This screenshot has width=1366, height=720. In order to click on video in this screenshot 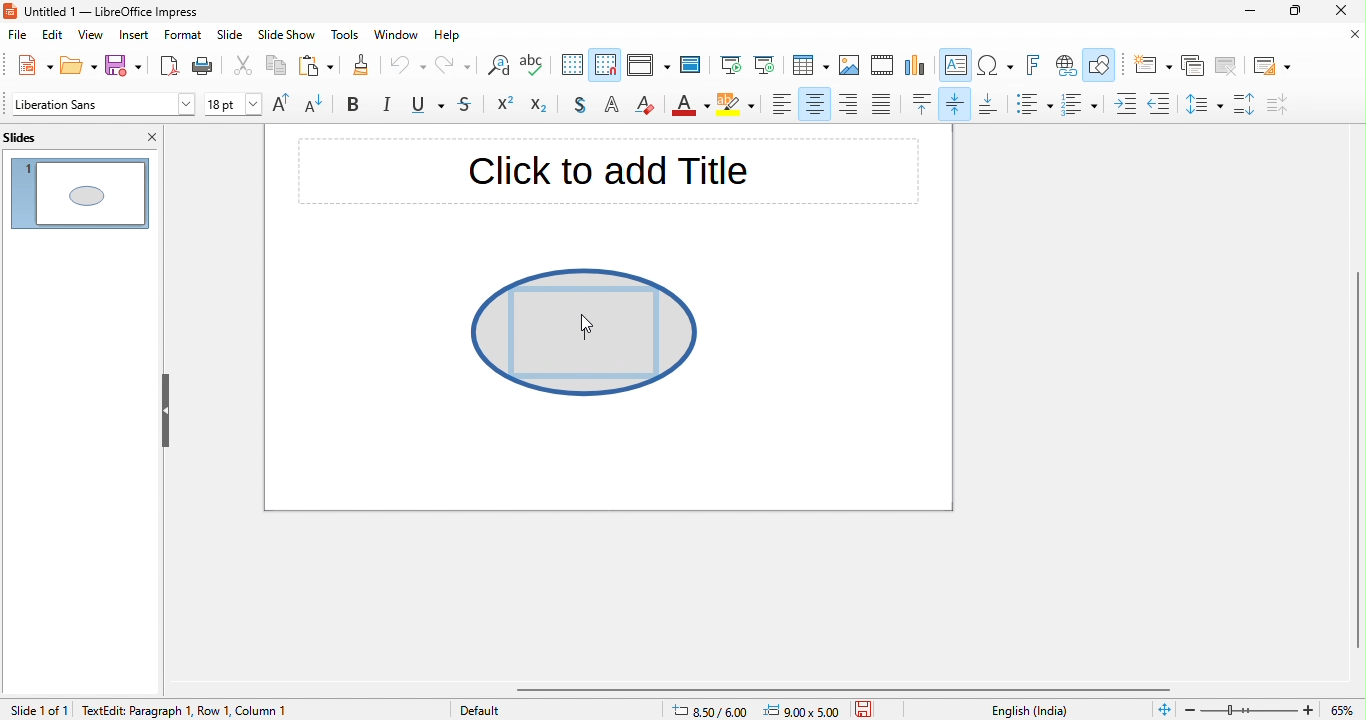, I will do `click(883, 67)`.